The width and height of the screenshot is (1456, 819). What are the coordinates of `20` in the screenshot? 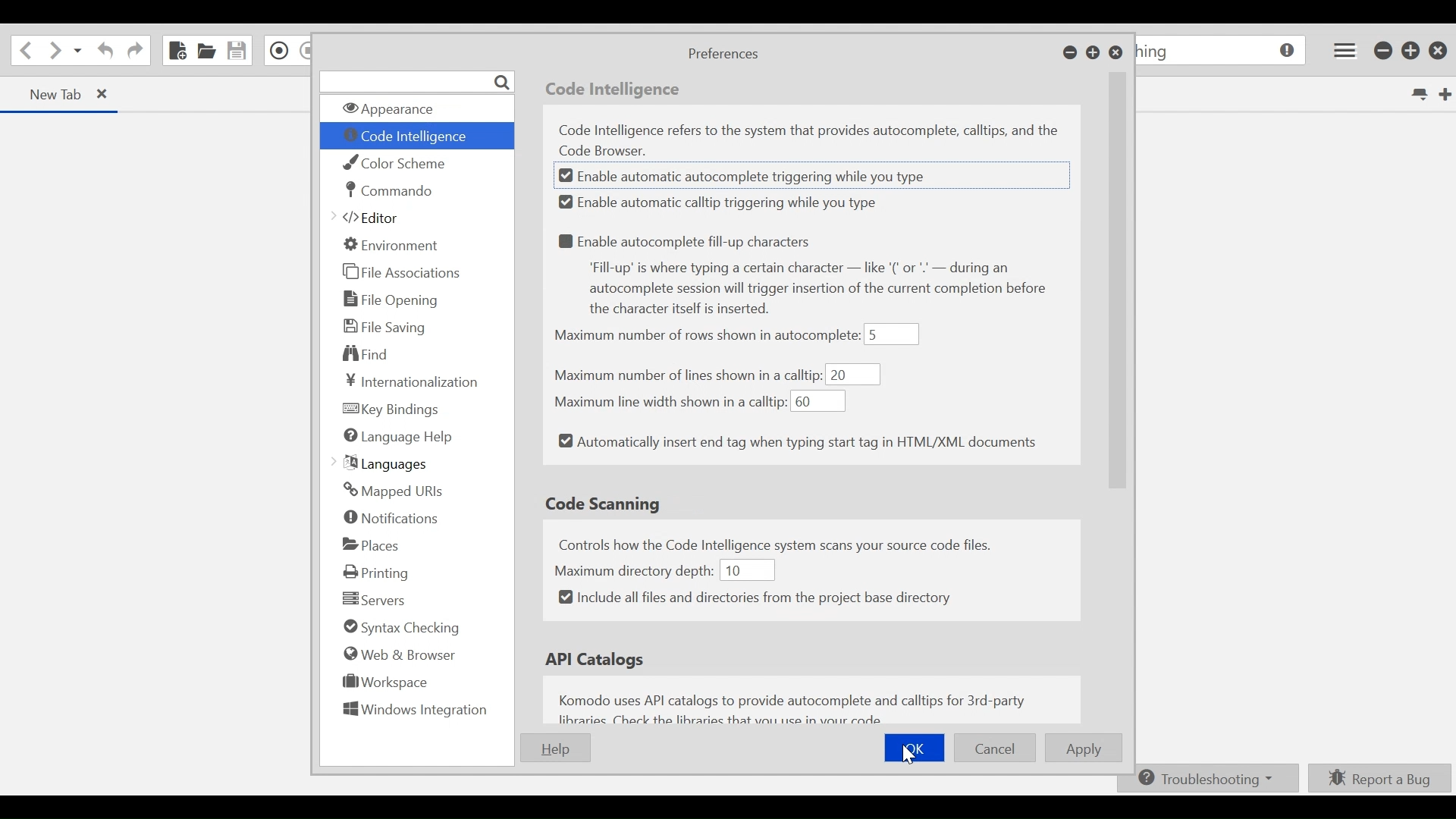 It's located at (853, 375).